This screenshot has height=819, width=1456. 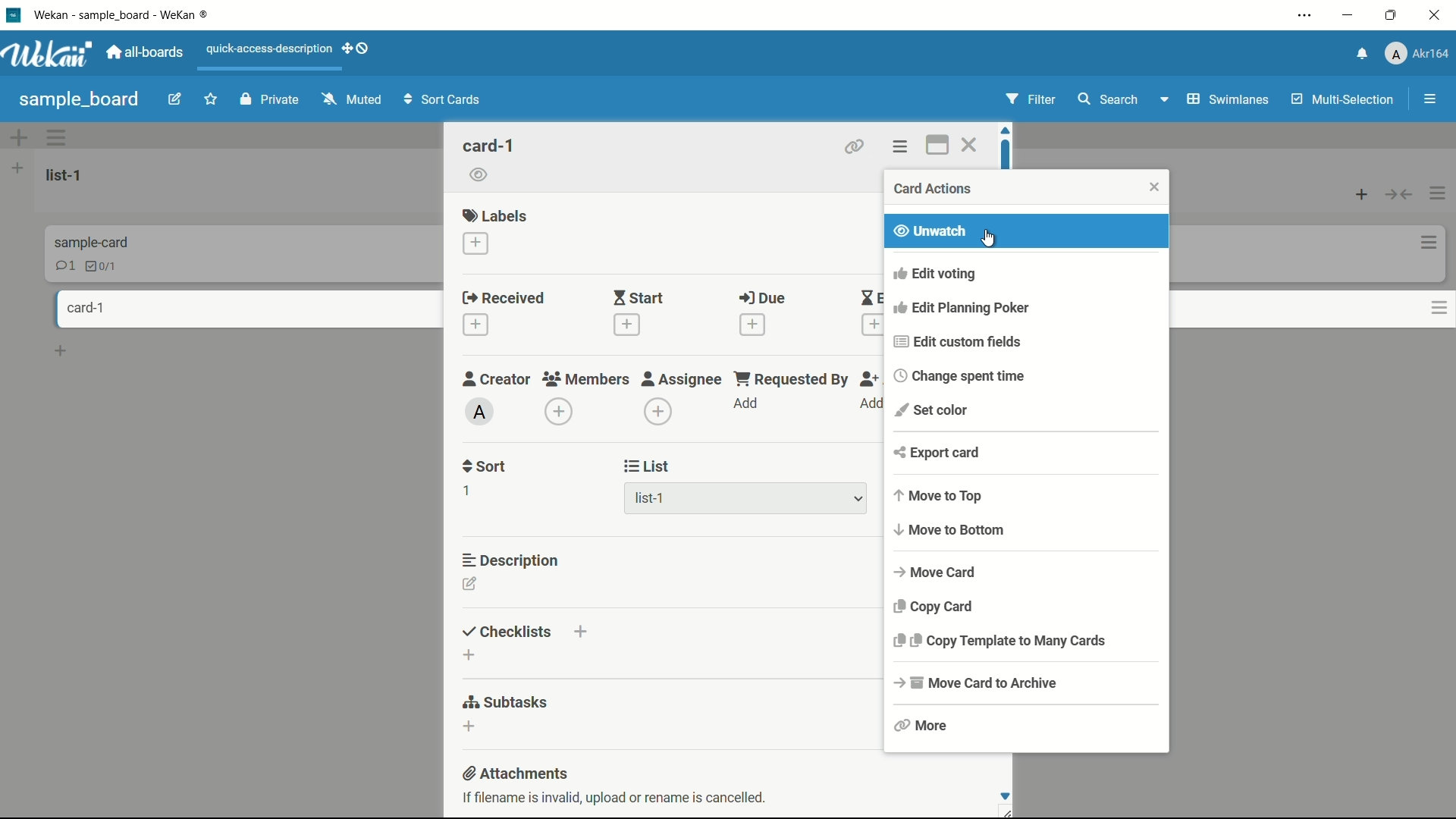 I want to click on card actions, so click(x=902, y=146).